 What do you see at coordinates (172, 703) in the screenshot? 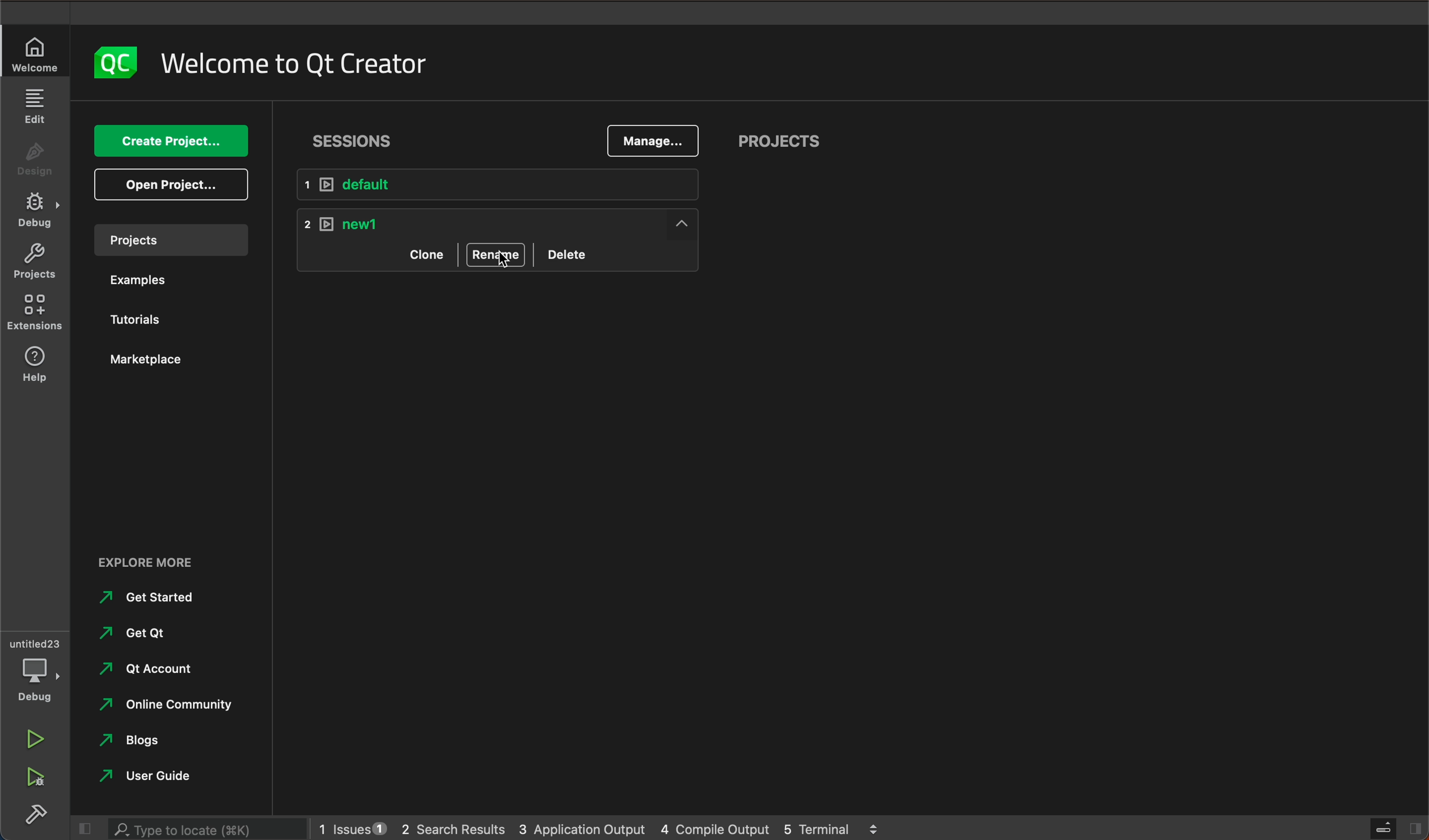
I see `online` at bounding box center [172, 703].